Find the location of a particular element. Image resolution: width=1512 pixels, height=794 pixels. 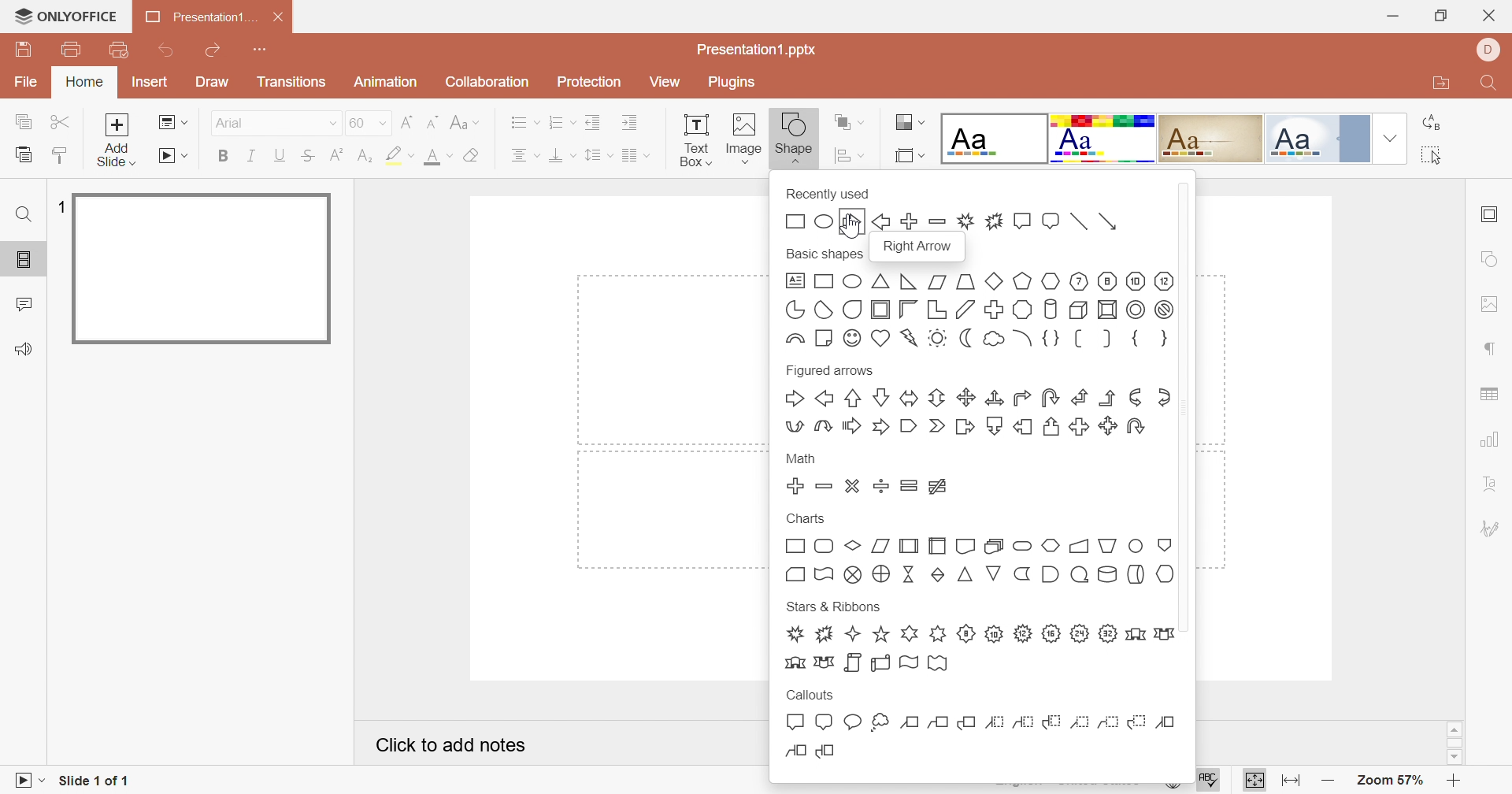

Undo is located at coordinates (169, 52).